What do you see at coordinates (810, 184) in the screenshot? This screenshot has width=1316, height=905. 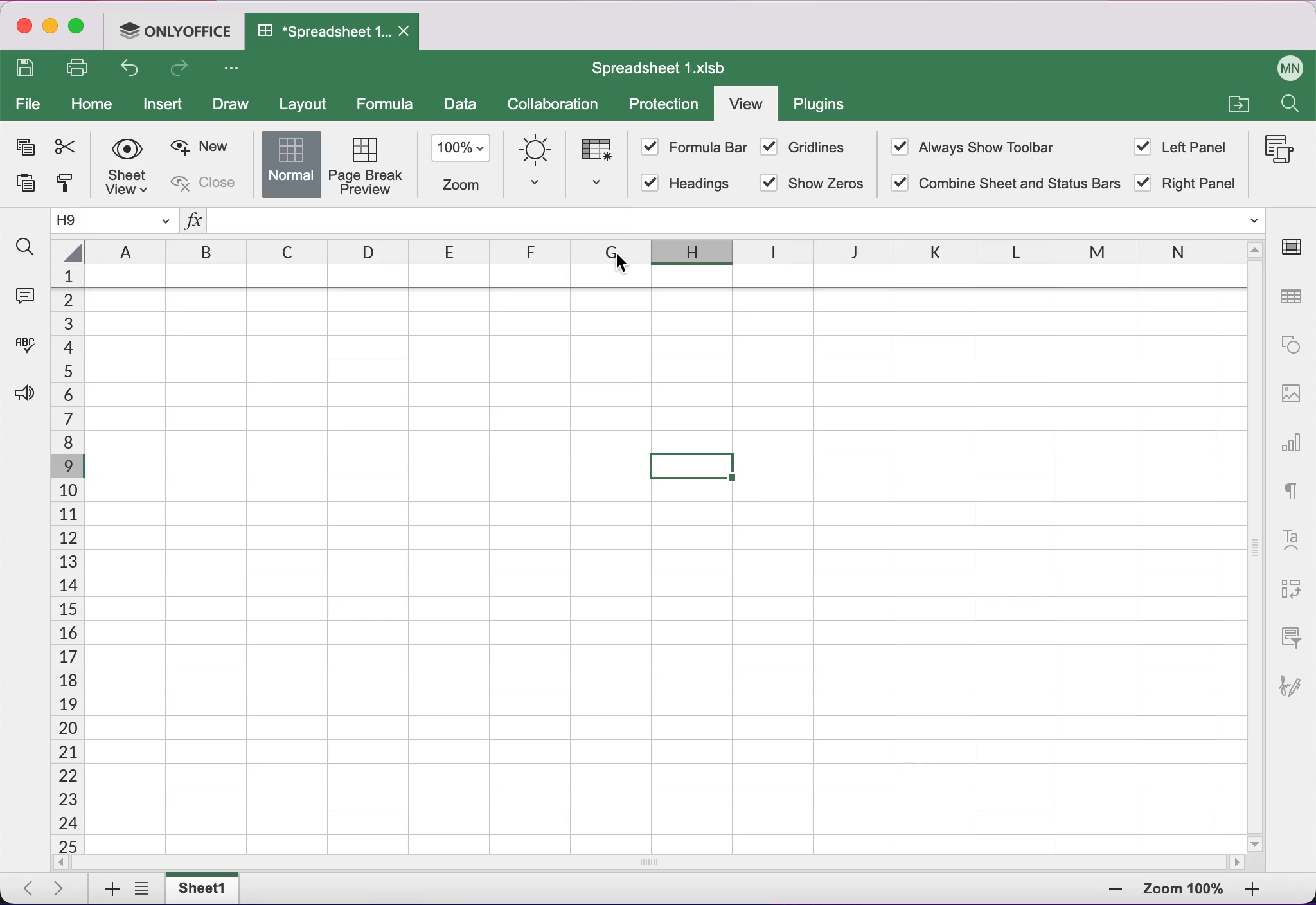 I see `show zeroes` at bounding box center [810, 184].